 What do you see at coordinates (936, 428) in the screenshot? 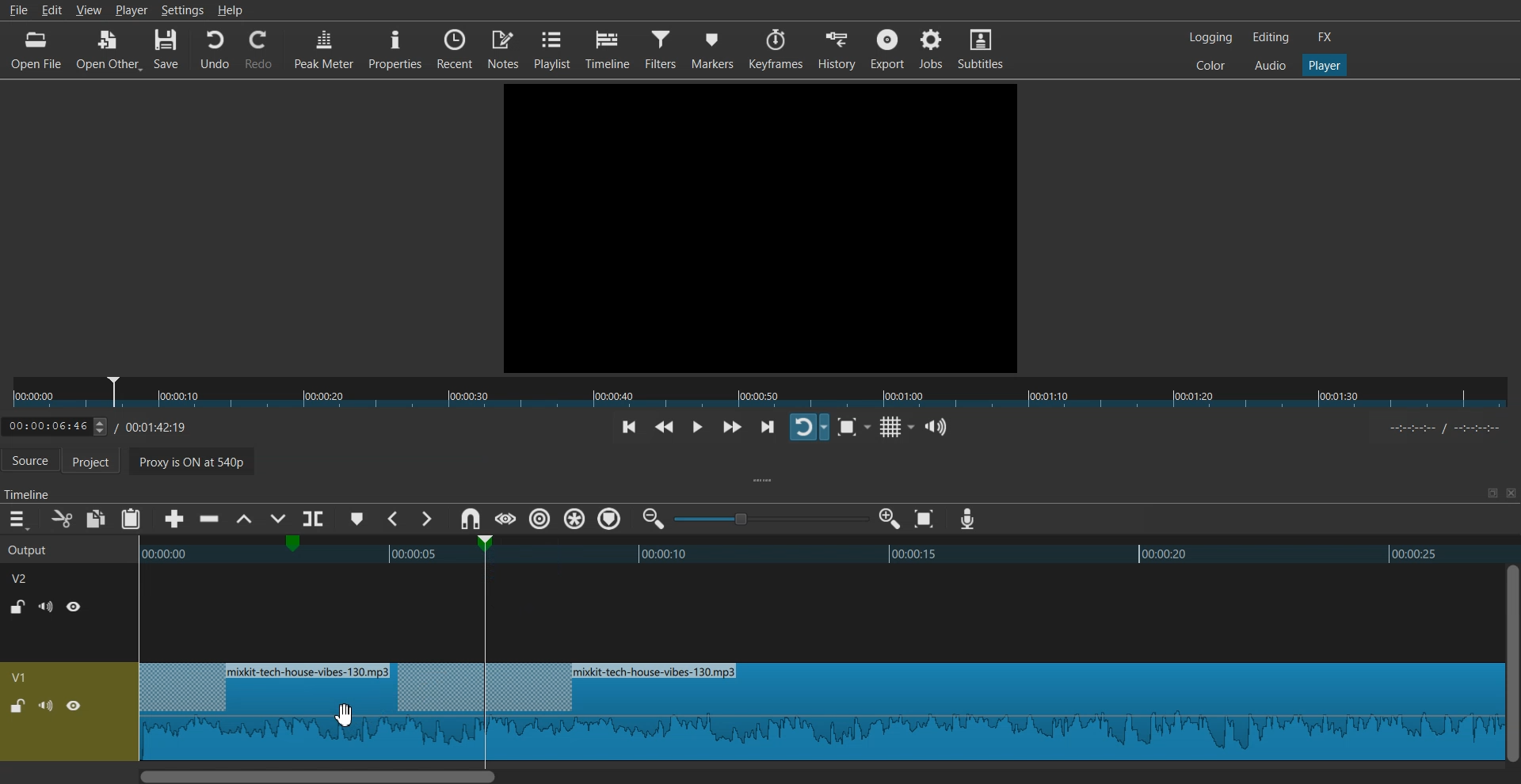
I see `Show the volume control` at bounding box center [936, 428].